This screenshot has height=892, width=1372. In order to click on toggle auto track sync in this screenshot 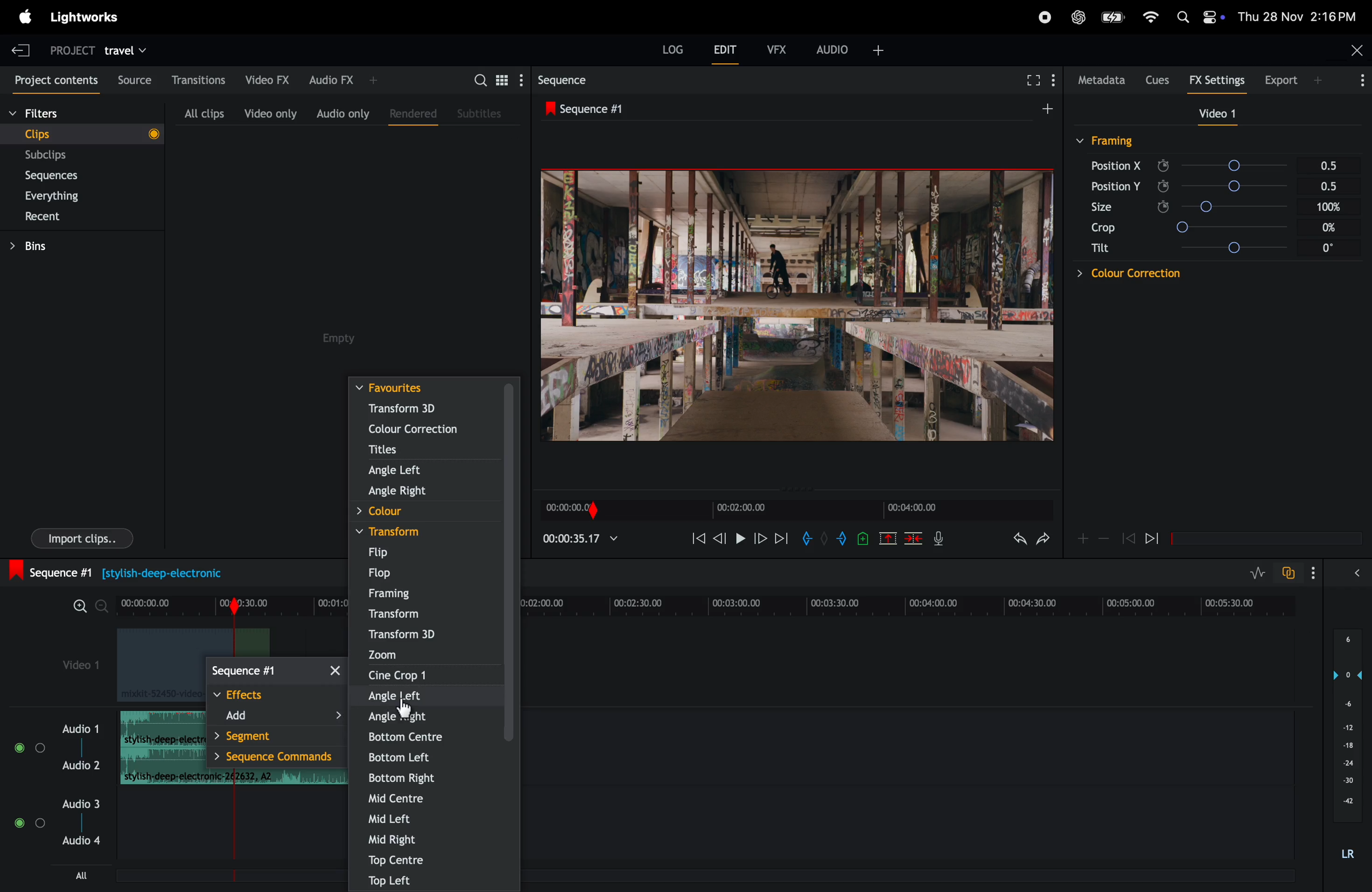, I will do `click(1291, 572)`.